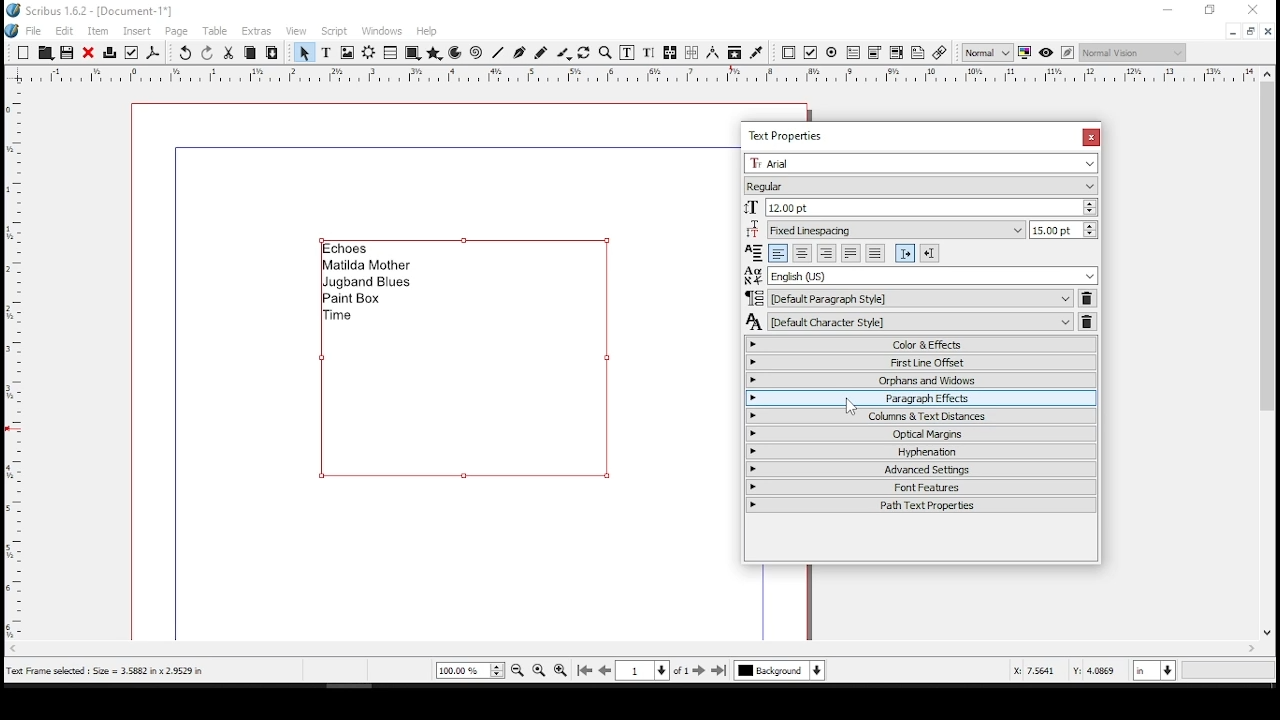  I want to click on align text forced justified, so click(874, 253).